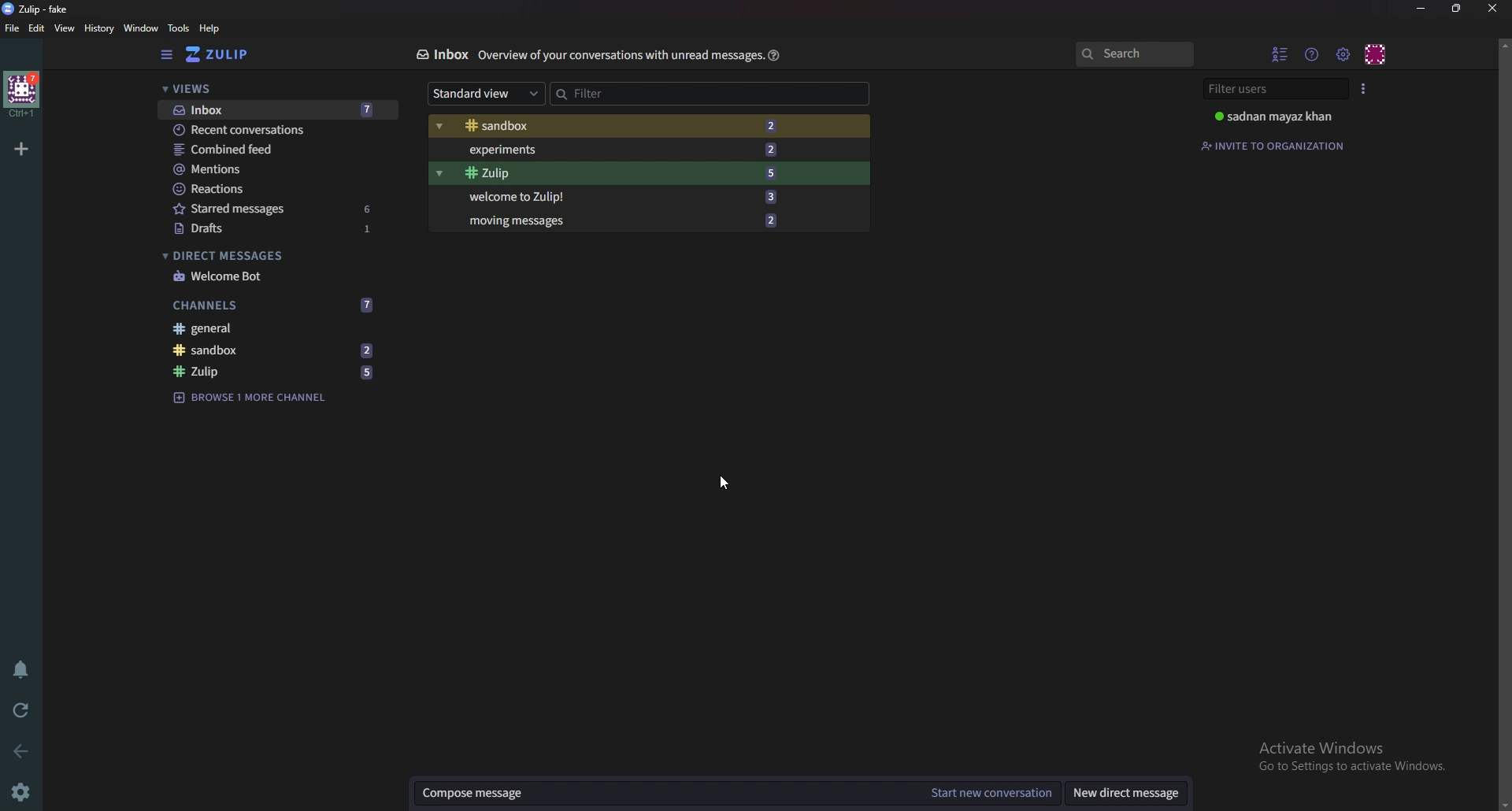 The image size is (1512, 811). What do you see at coordinates (22, 754) in the screenshot?
I see `Back` at bounding box center [22, 754].